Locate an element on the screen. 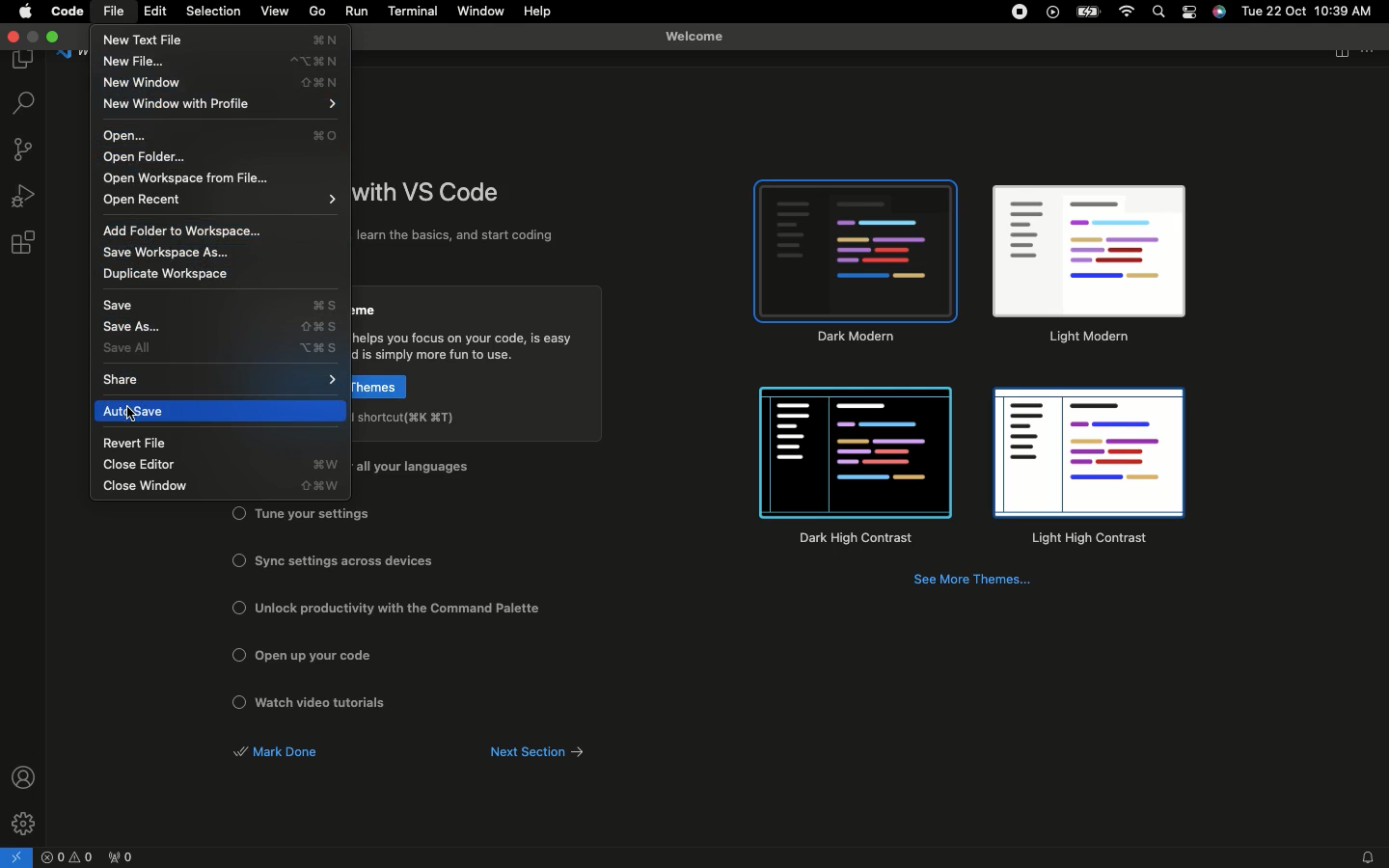 Image resolution: width=1389 pixels, height=868 pixels. New file is located at coordinates (222, 63).